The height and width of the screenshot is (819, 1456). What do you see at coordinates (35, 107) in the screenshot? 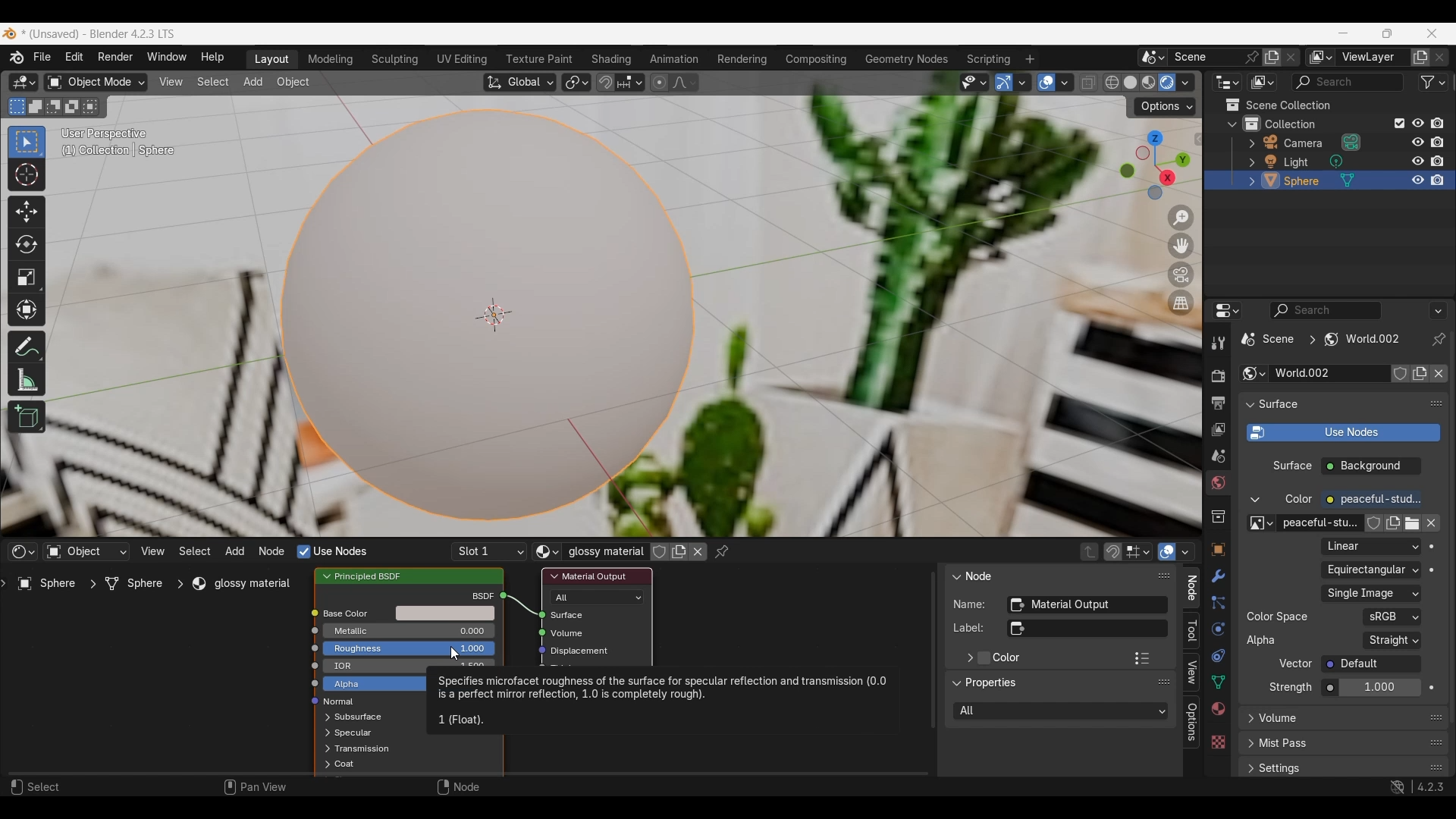
I see `Extend existing selection` at bounding box center [35, 107].